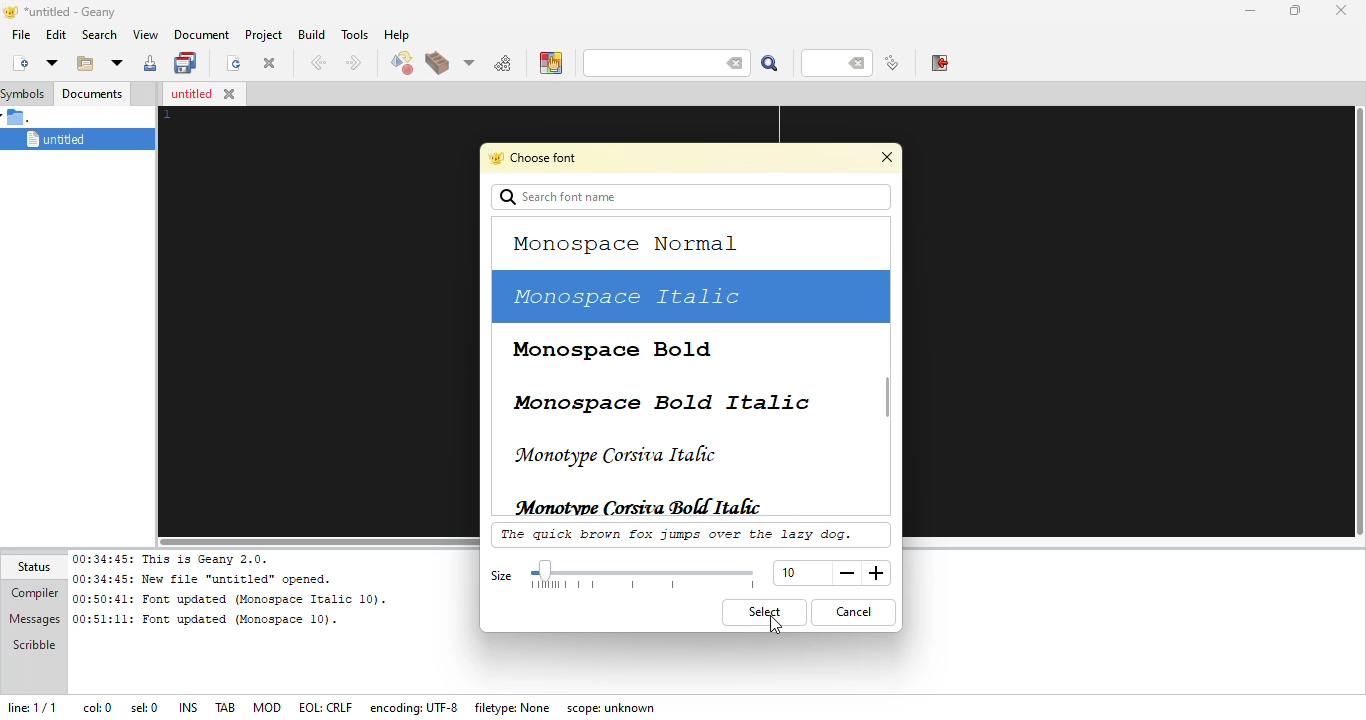 The height and width of the screenshot is (720, 1366). Describe the element at coordinates (610, 350) in the screenshot. I see `monospace bold` at that location.